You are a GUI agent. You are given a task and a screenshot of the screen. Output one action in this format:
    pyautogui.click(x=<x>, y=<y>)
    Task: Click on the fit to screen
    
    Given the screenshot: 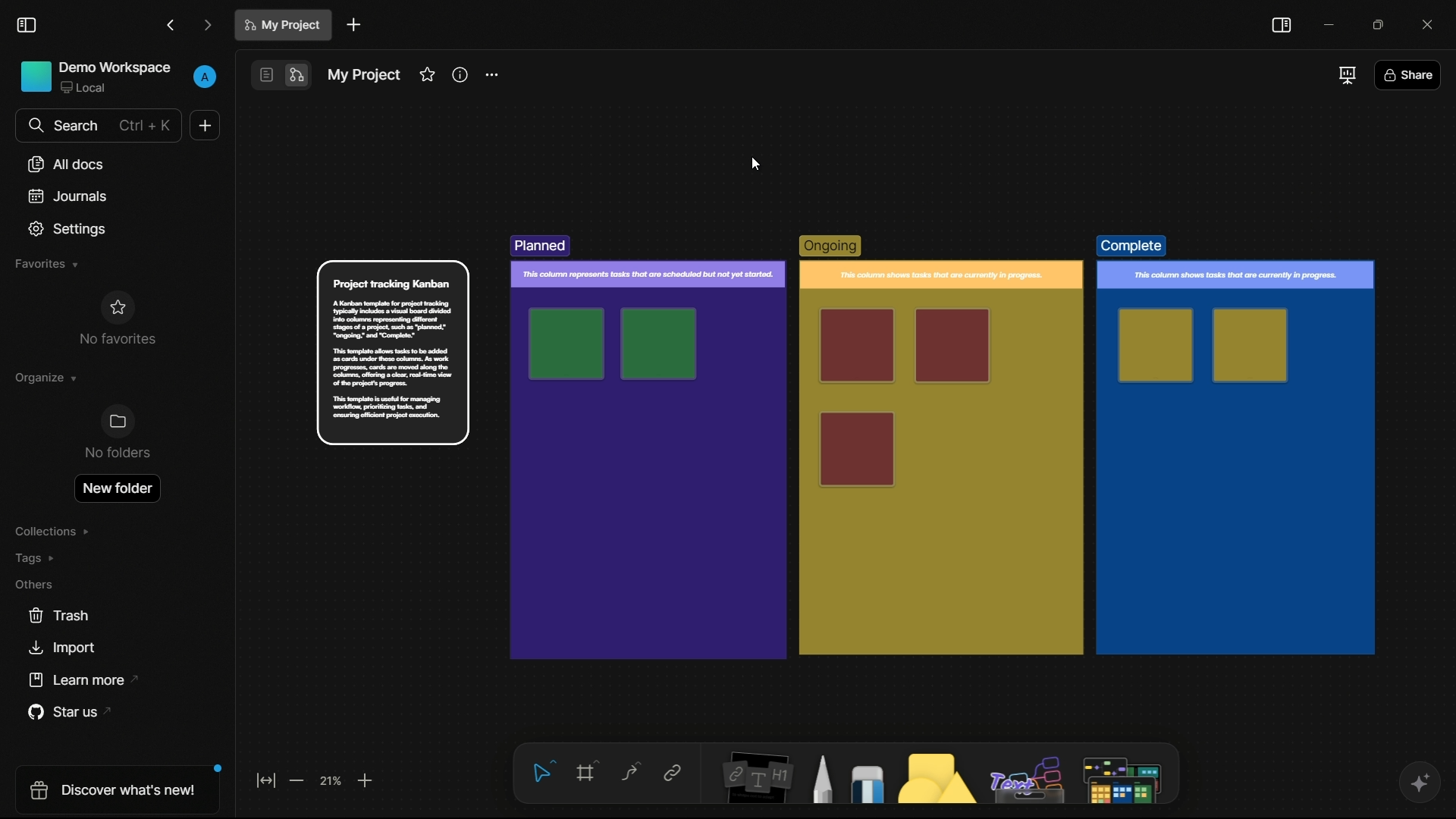 What is the action you would take?
    pyautogui.click(x=265, y=780)
    